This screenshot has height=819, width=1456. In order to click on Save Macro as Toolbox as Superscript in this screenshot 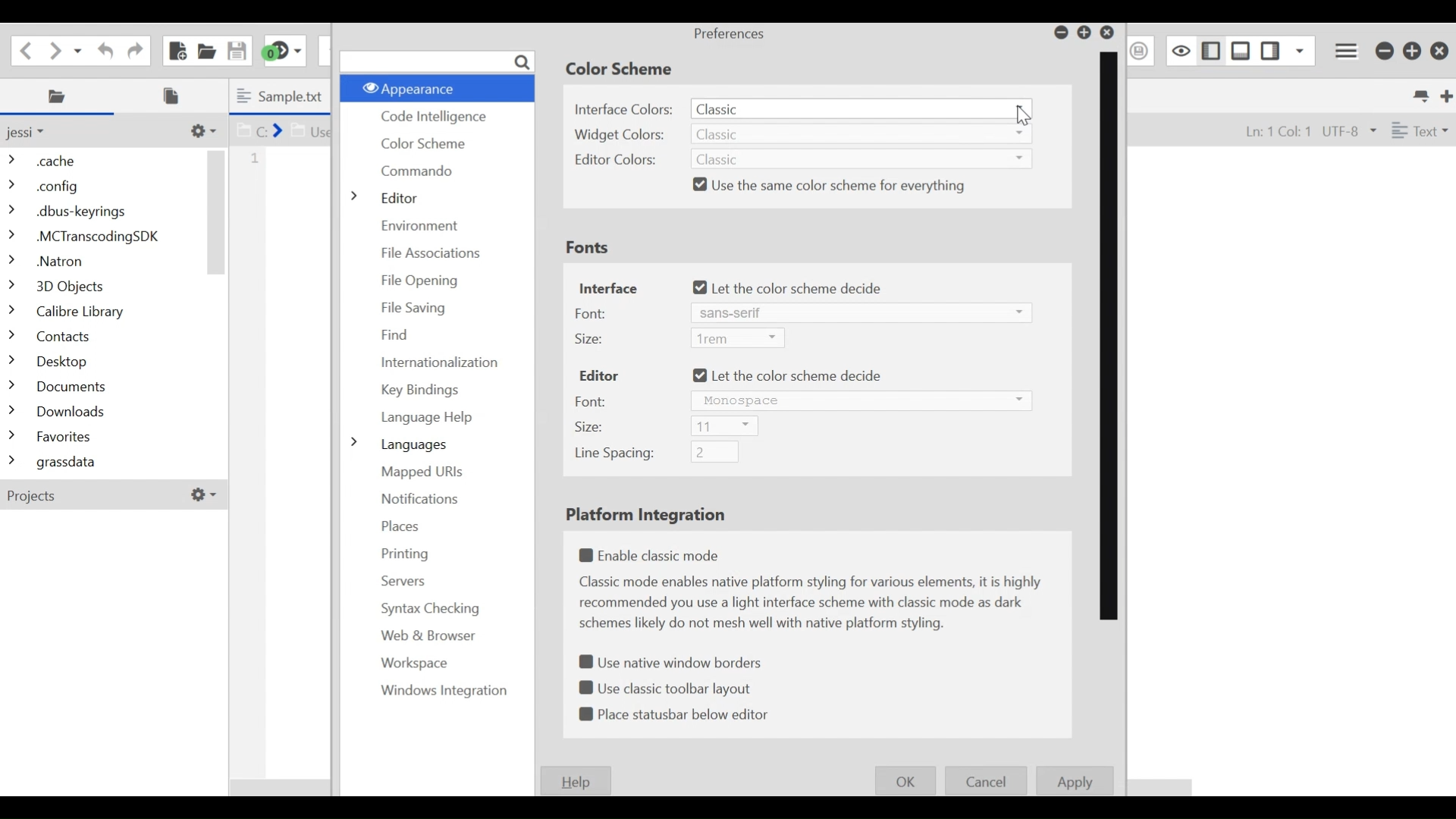, I will do `click(1141, 50)`.